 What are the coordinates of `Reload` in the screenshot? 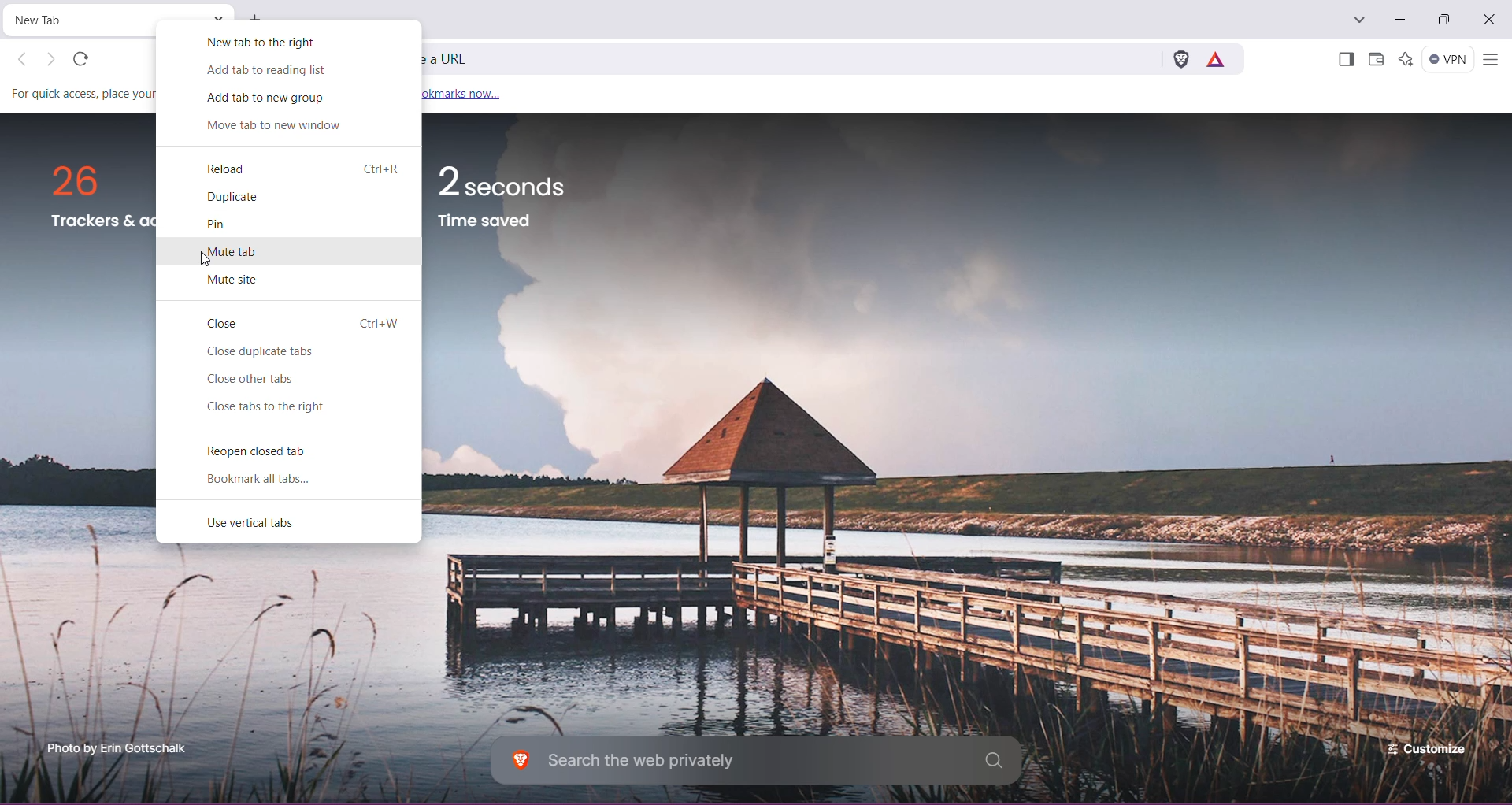 It's located at (302, 167).